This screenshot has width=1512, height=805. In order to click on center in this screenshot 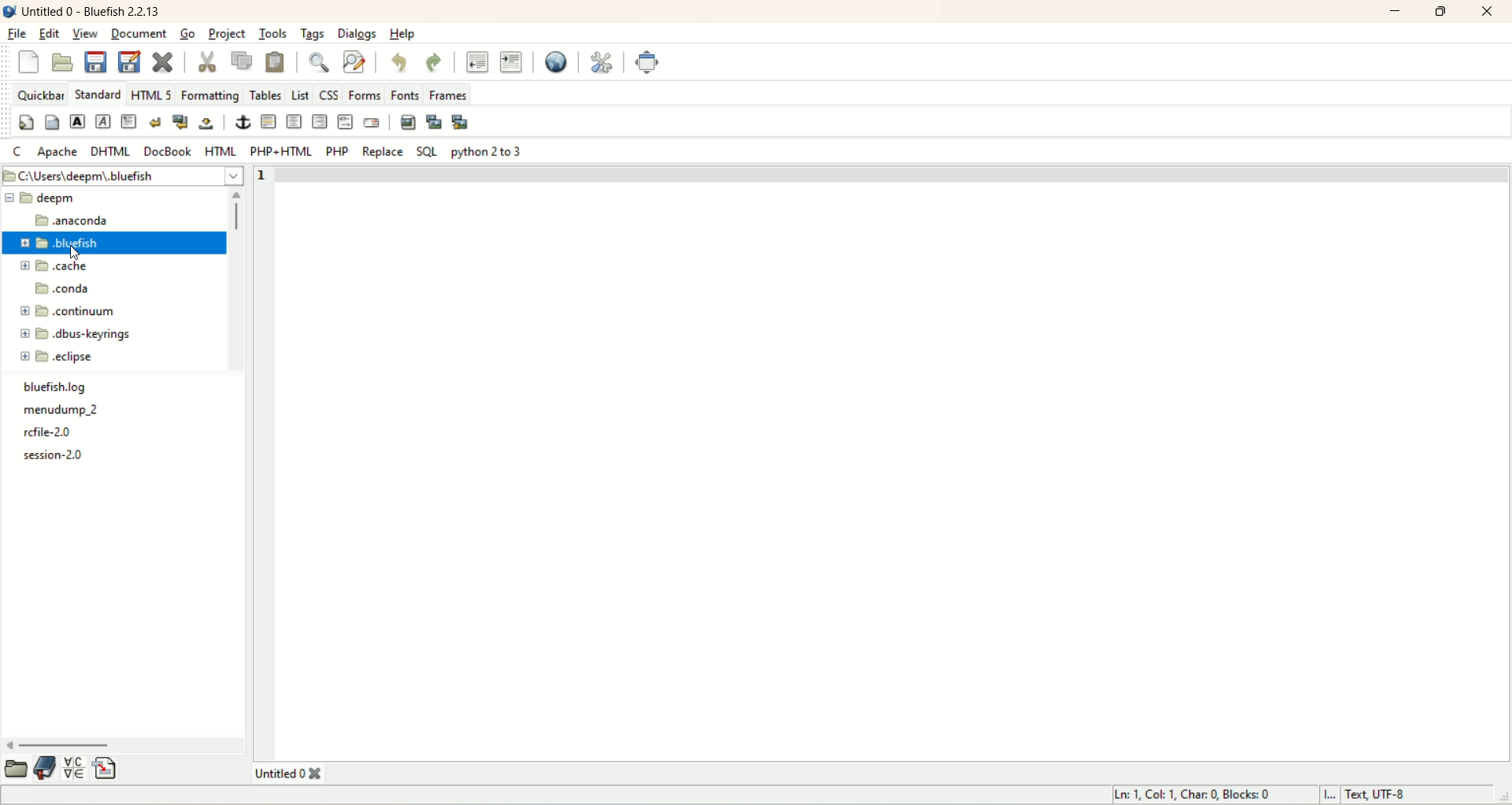, I will do `click(292, 121)`.